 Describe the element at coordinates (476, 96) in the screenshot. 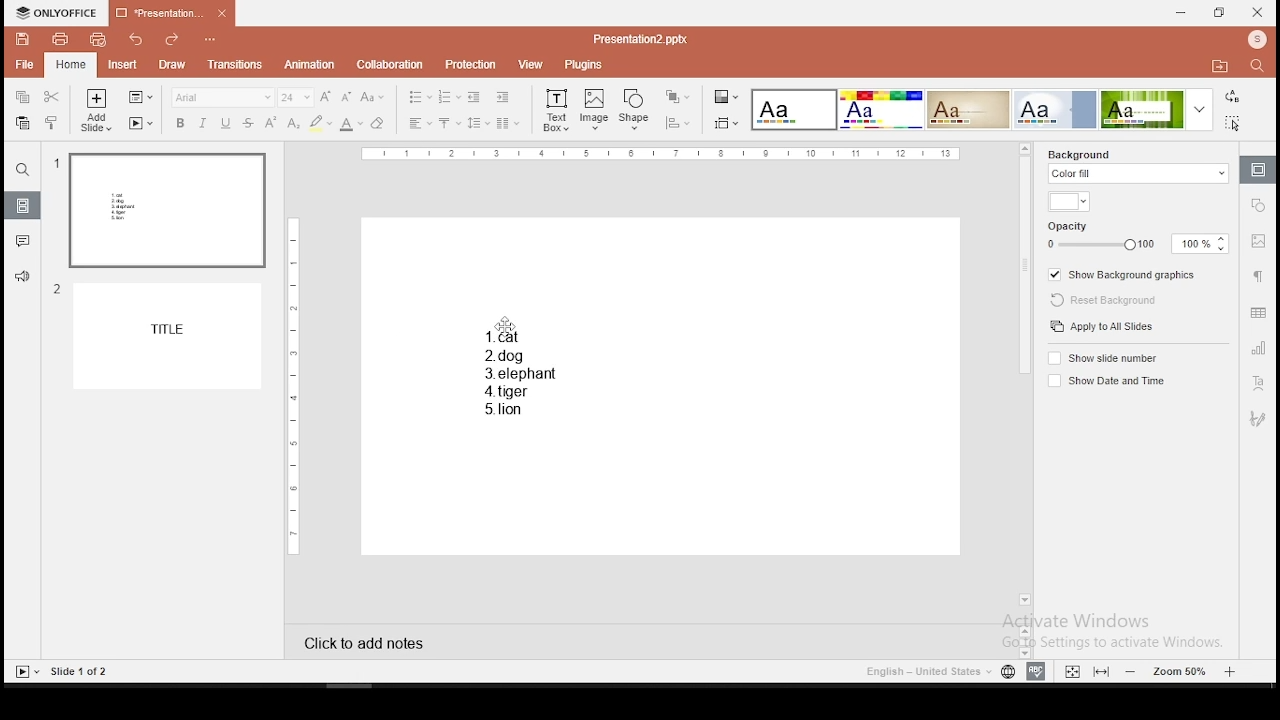

I see `decrease indent` at that location.